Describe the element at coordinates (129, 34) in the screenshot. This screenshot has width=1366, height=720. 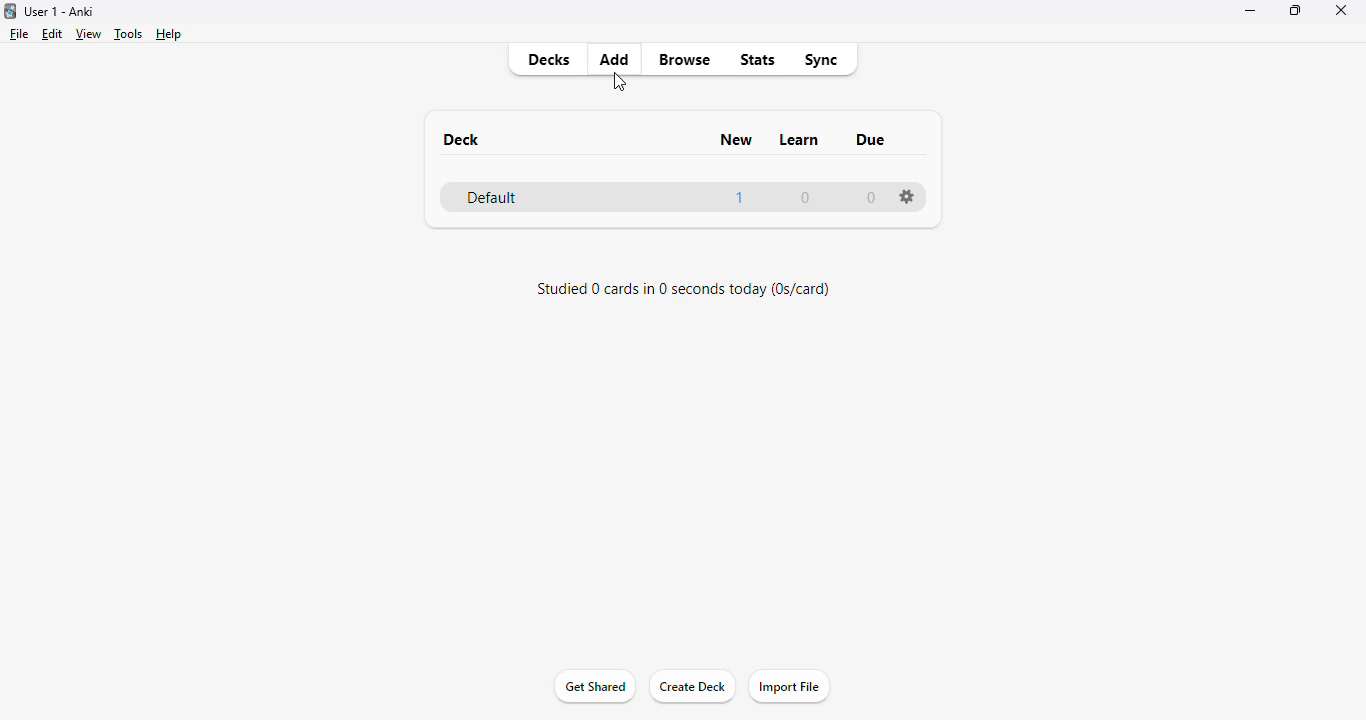
I see `tools` at that location.